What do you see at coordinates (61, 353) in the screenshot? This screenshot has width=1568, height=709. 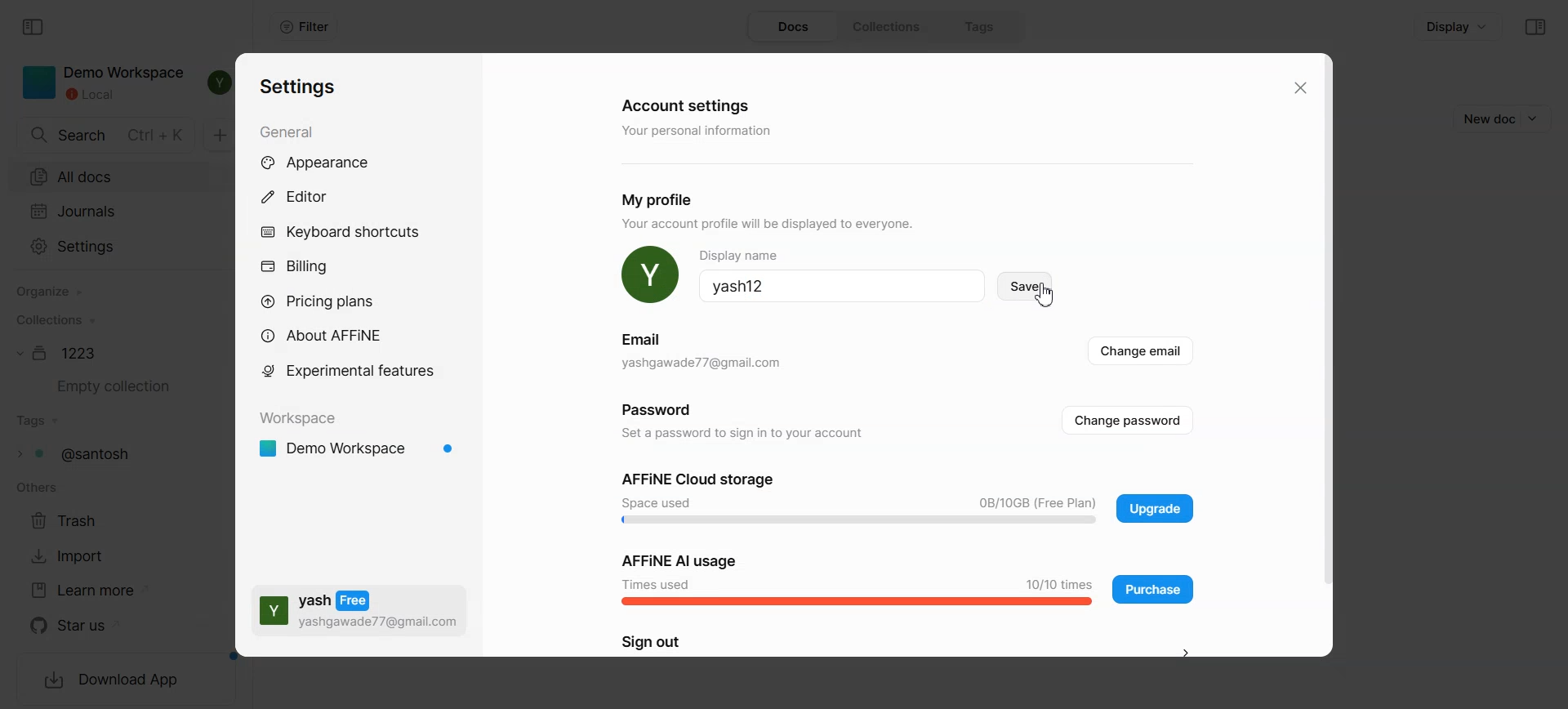 I see `Document` at bounding box center [61, 353].